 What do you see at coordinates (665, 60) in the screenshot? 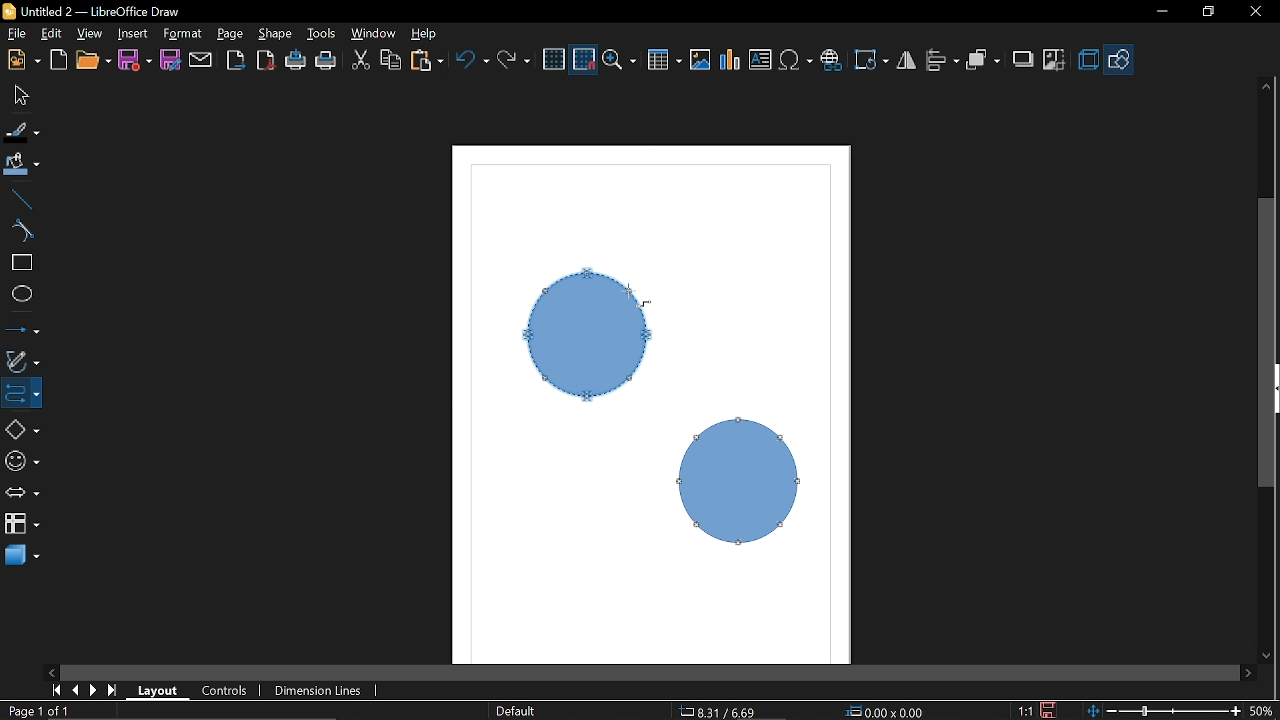
I see `Insert table` at bounding box center [665, 60].